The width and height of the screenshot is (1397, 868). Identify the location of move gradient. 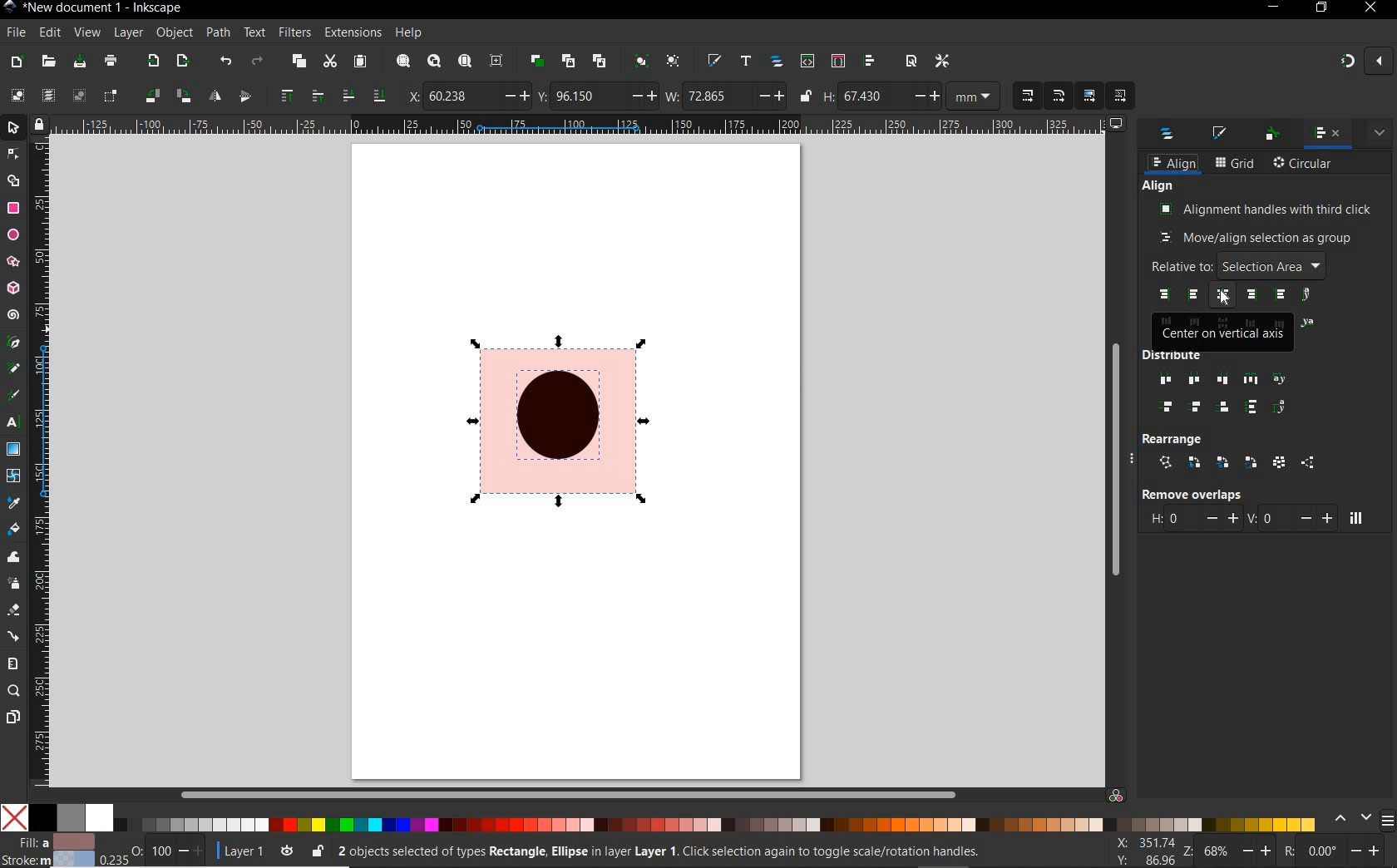
(1090, 95).